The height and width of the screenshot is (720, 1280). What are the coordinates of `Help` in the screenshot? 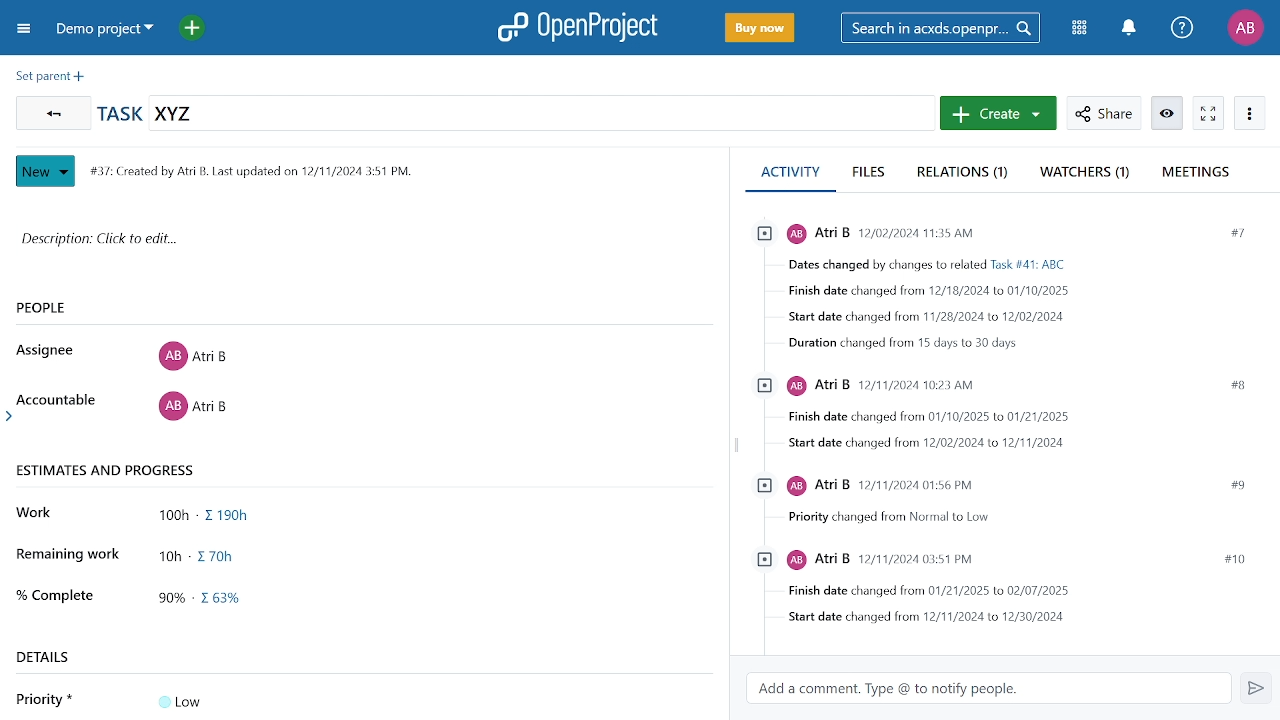 It's located at (1184, 28).